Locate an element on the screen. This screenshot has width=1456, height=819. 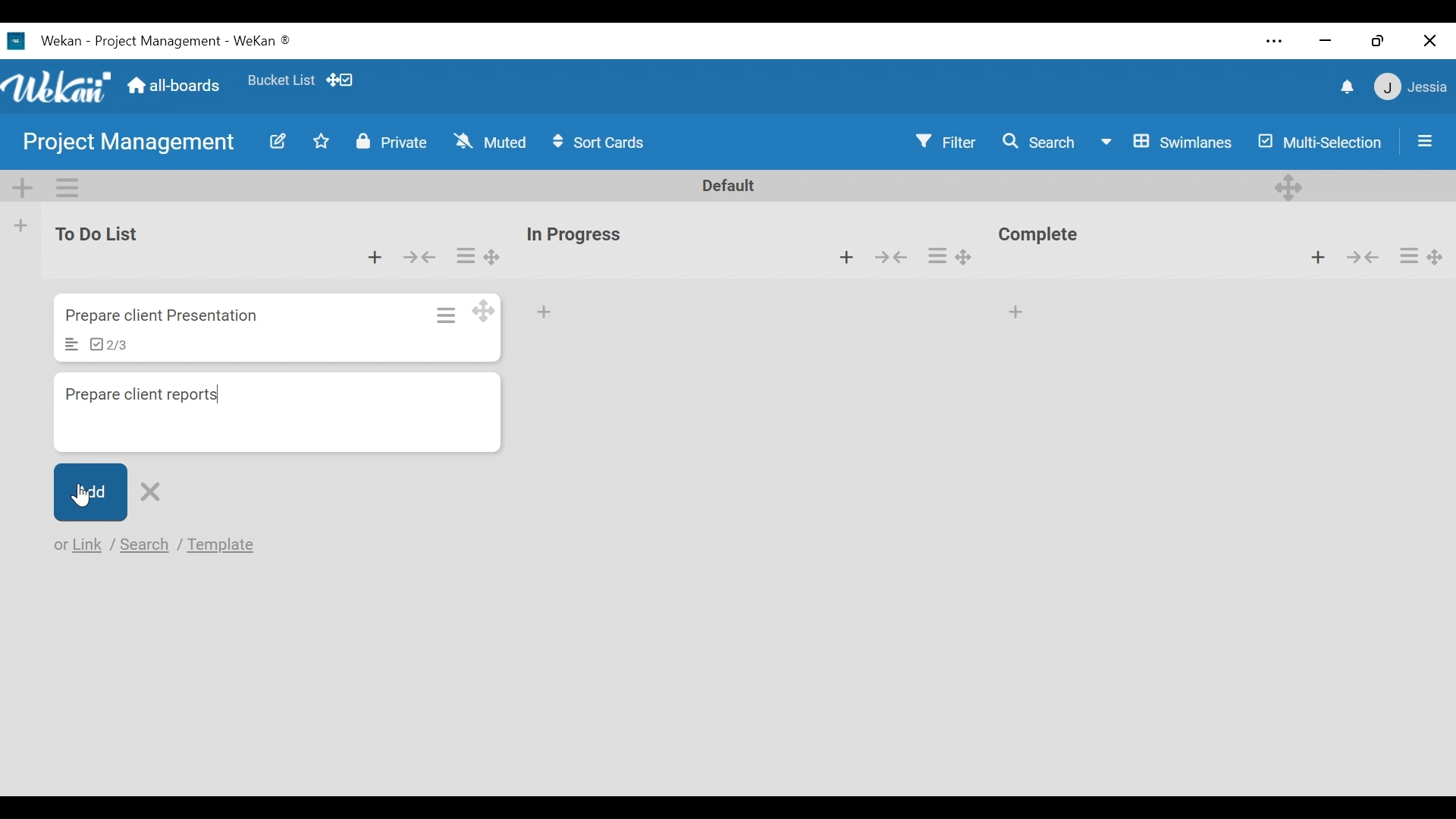
Desktop drag handle is located at coordinates (972, 254).